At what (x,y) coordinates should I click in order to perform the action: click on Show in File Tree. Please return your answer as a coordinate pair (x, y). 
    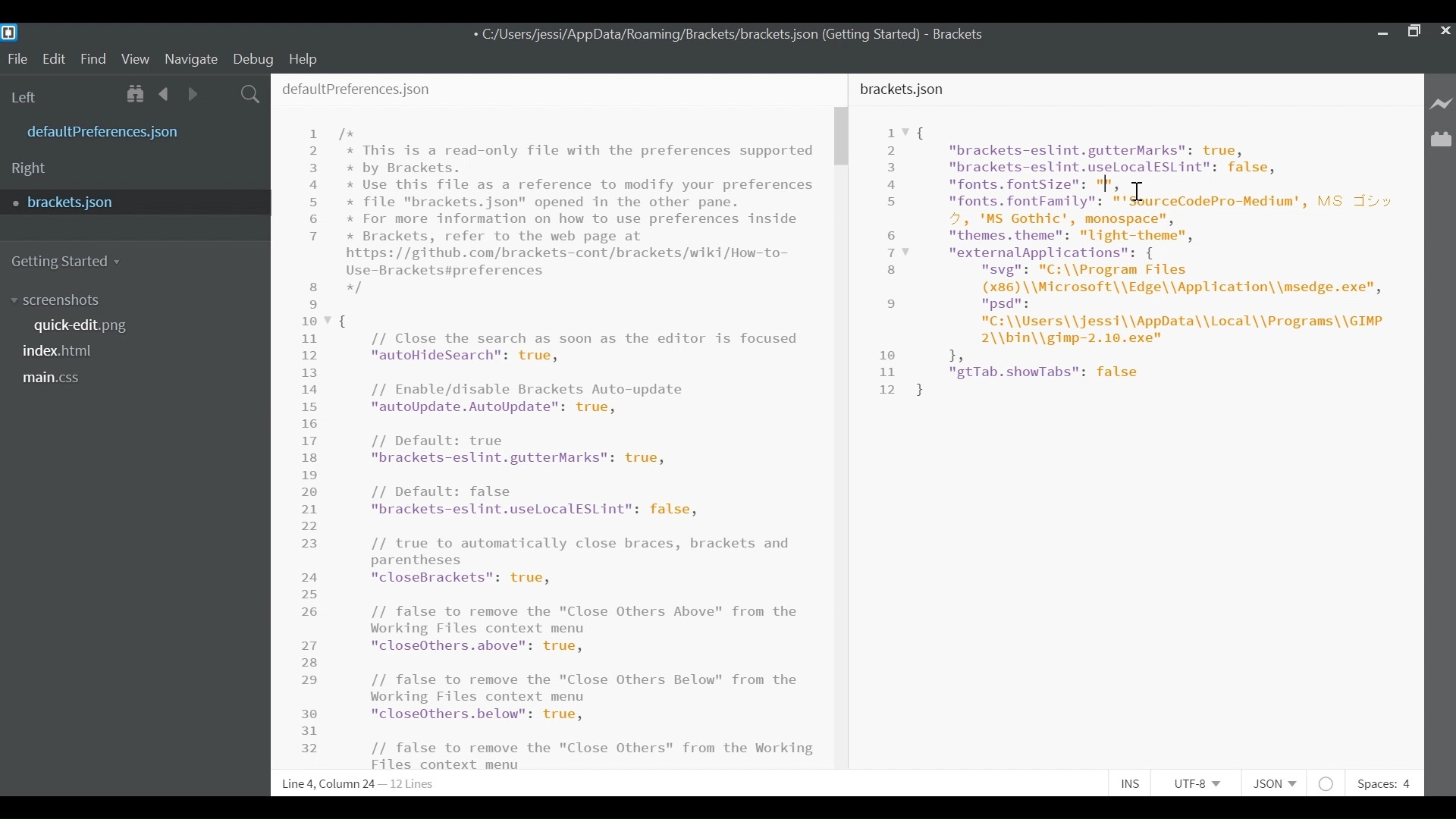
    Looking at the image, I should click on (138, 95).